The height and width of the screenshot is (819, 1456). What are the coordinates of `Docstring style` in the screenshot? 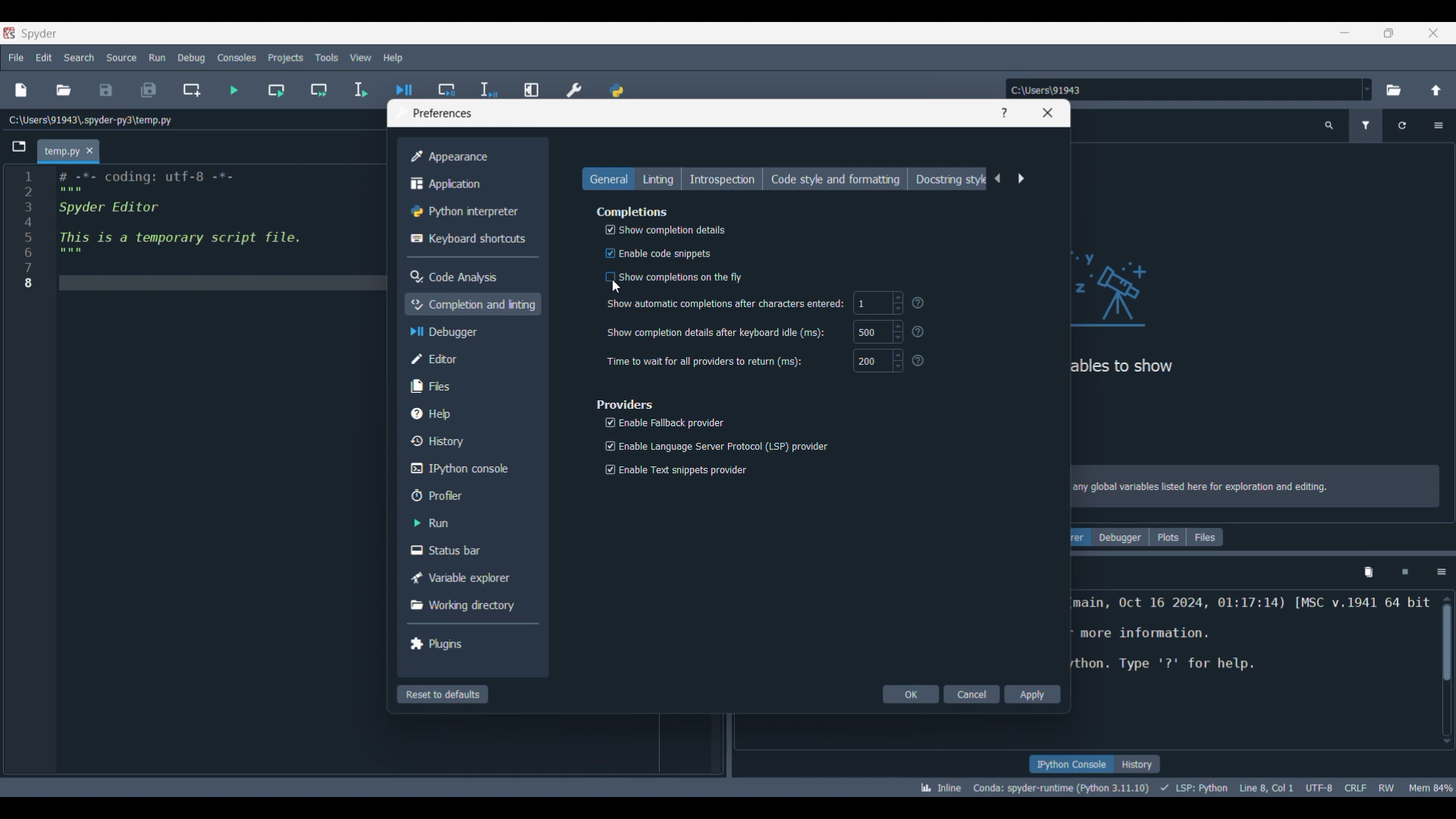 It's located at (948, 179).